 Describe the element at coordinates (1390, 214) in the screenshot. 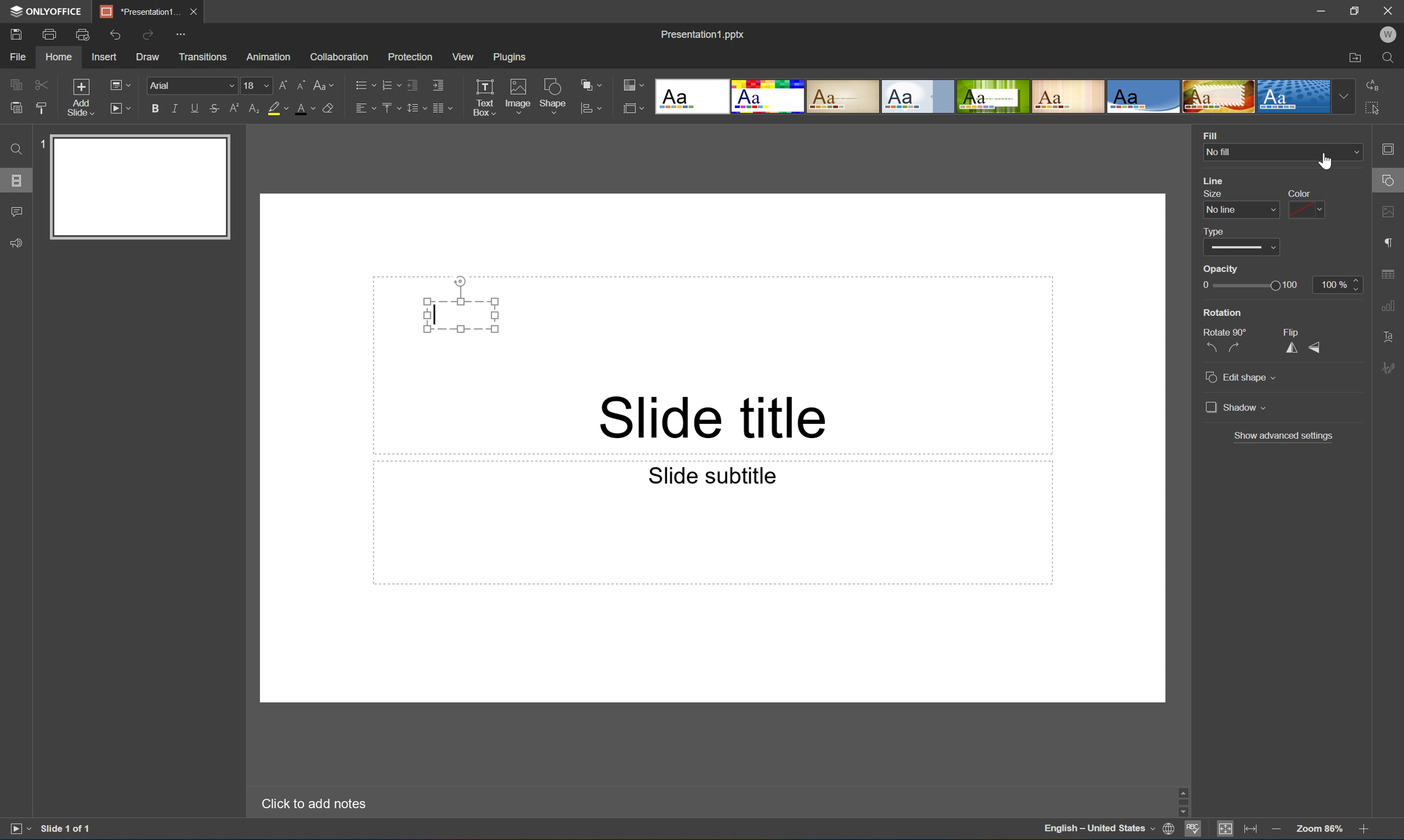

I see `image settings` at that location.